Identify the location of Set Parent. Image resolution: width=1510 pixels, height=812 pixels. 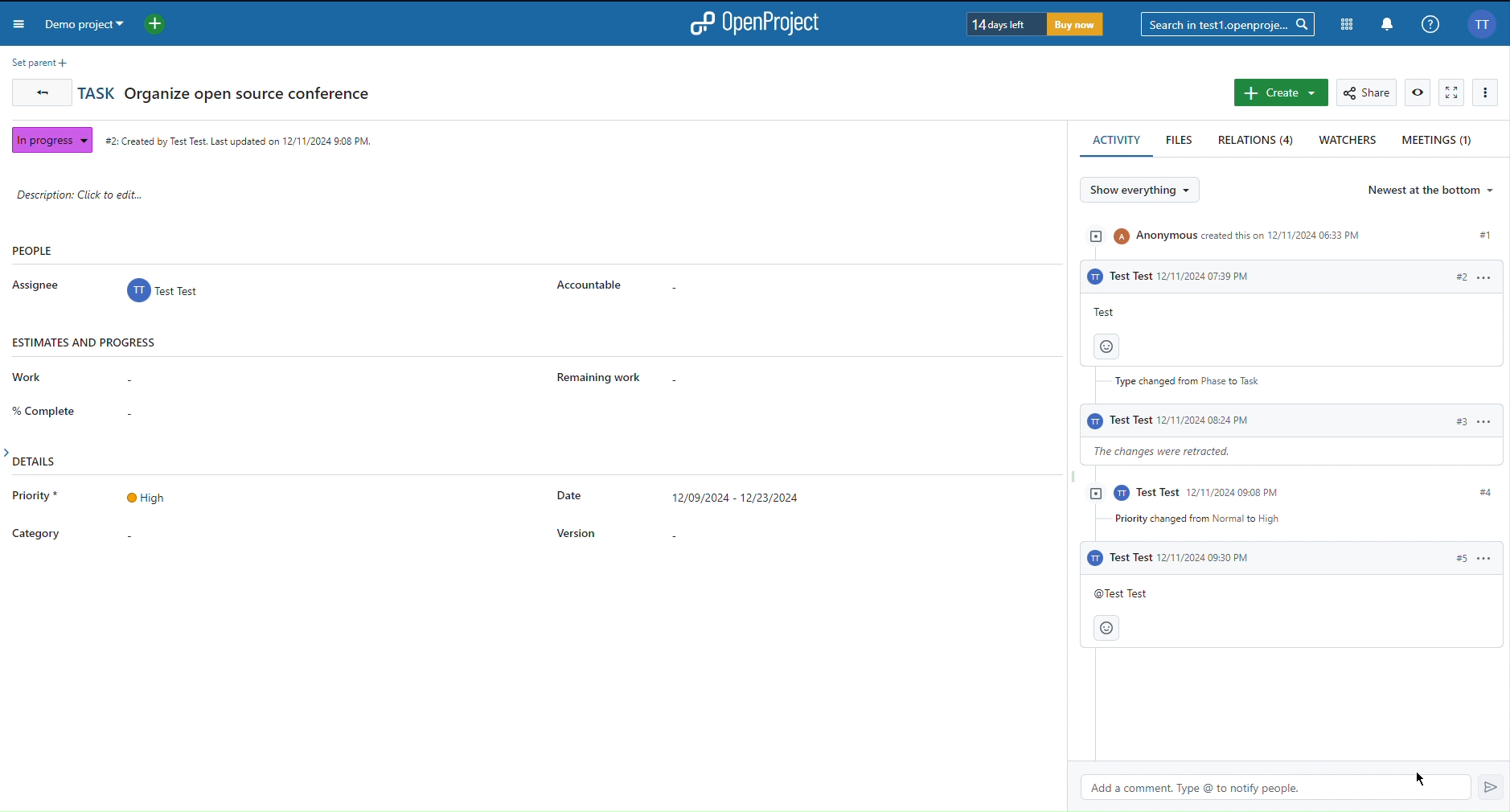
(36, 62).